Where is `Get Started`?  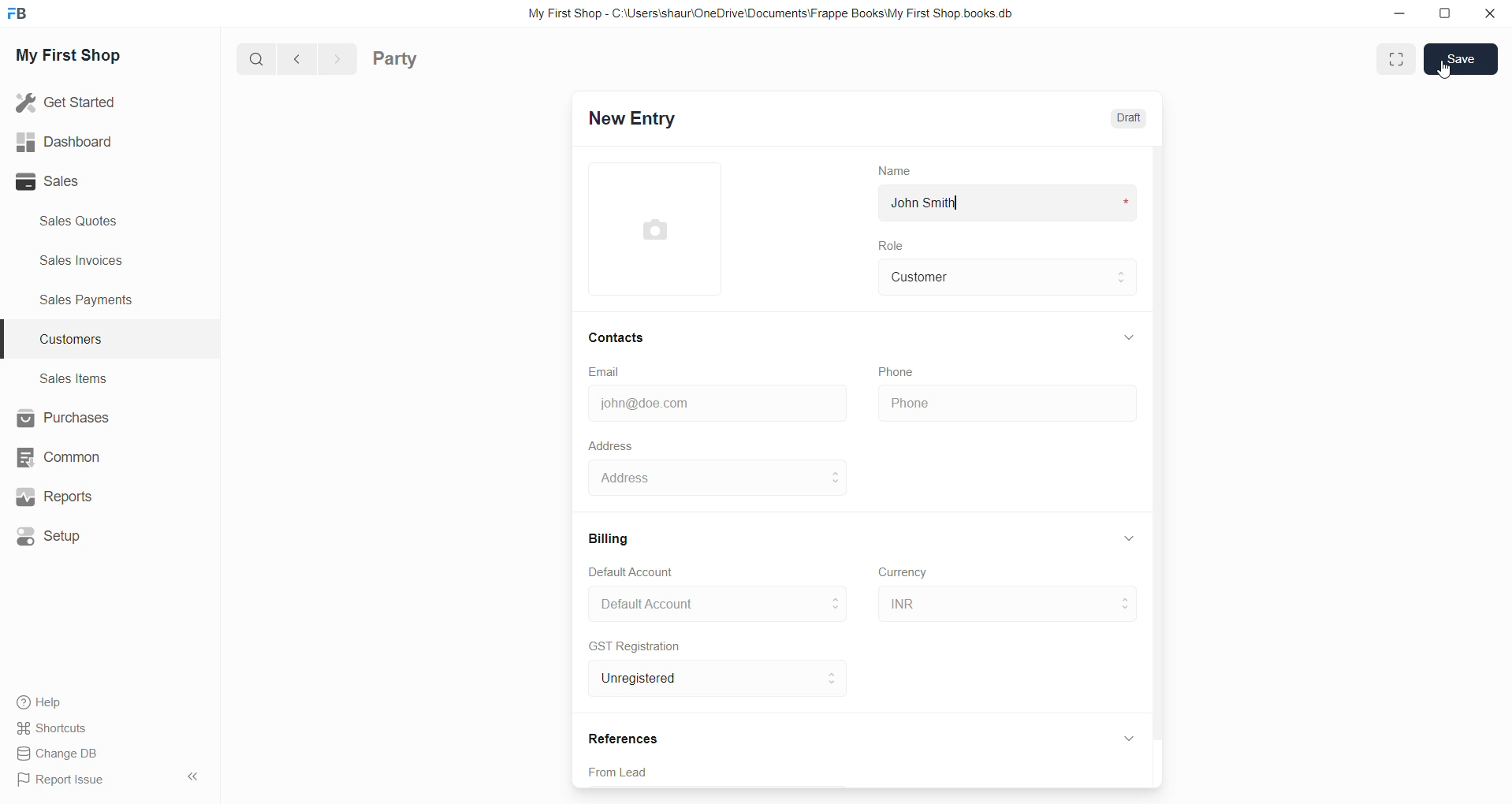
Get Started is located at coordinates (69, 102).